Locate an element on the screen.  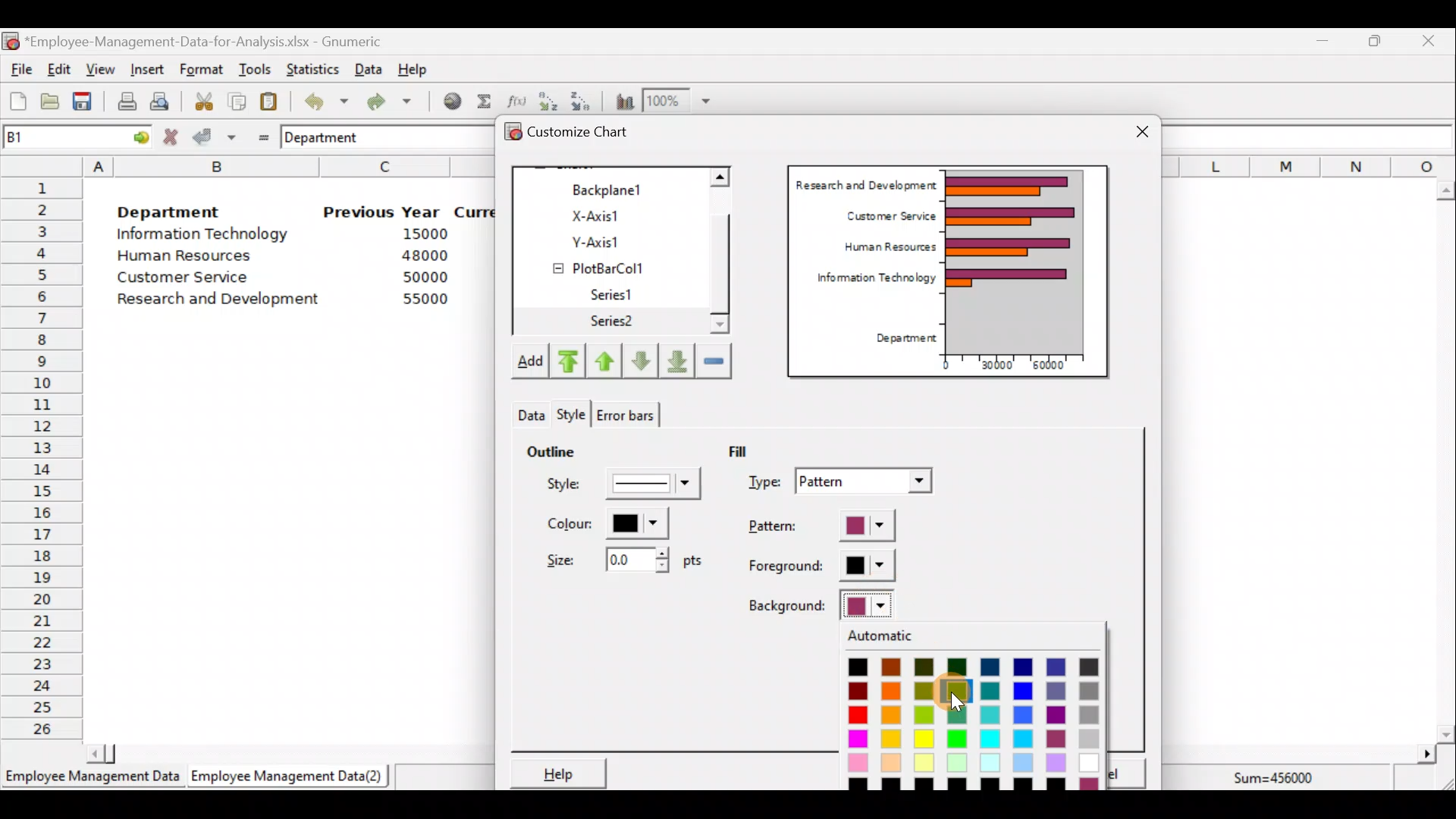
Size is located at coordinates (620, 558).